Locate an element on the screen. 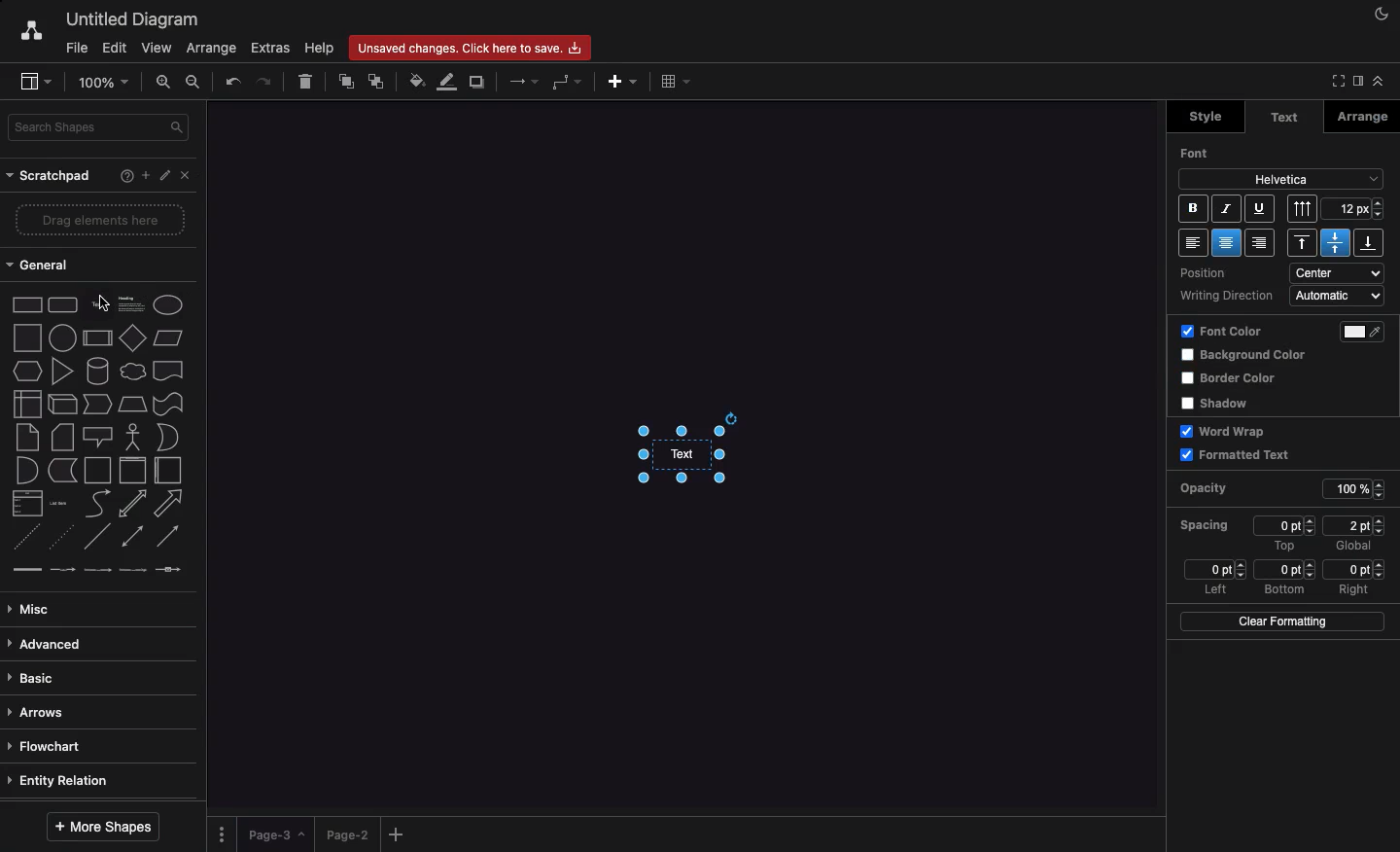 The height and width of the screenshot is (852, 1400). process is located at coordinates (97, 338).